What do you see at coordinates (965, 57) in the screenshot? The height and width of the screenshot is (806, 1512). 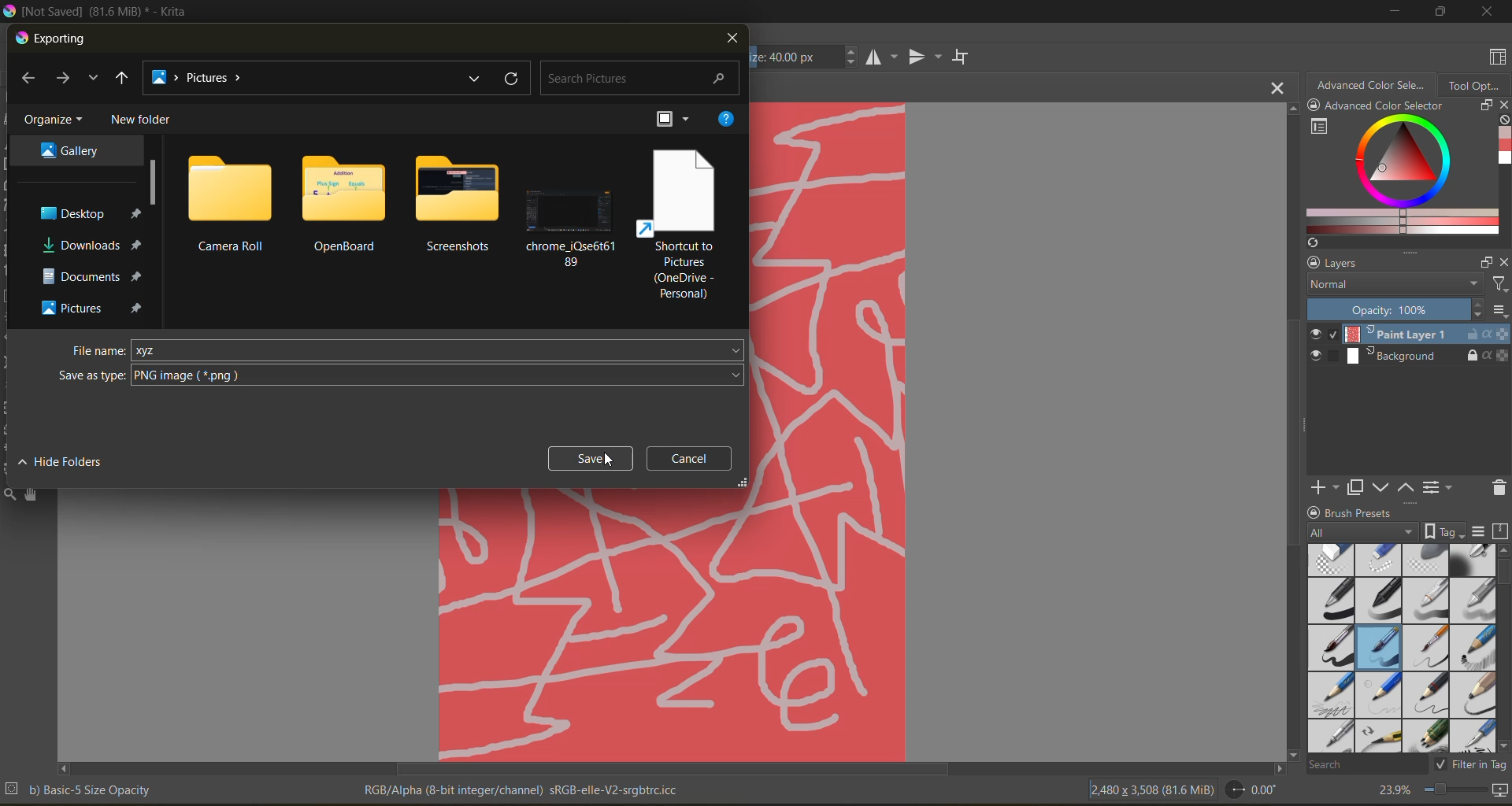 I see `wrap around mode` at bounding box center [965, 57].